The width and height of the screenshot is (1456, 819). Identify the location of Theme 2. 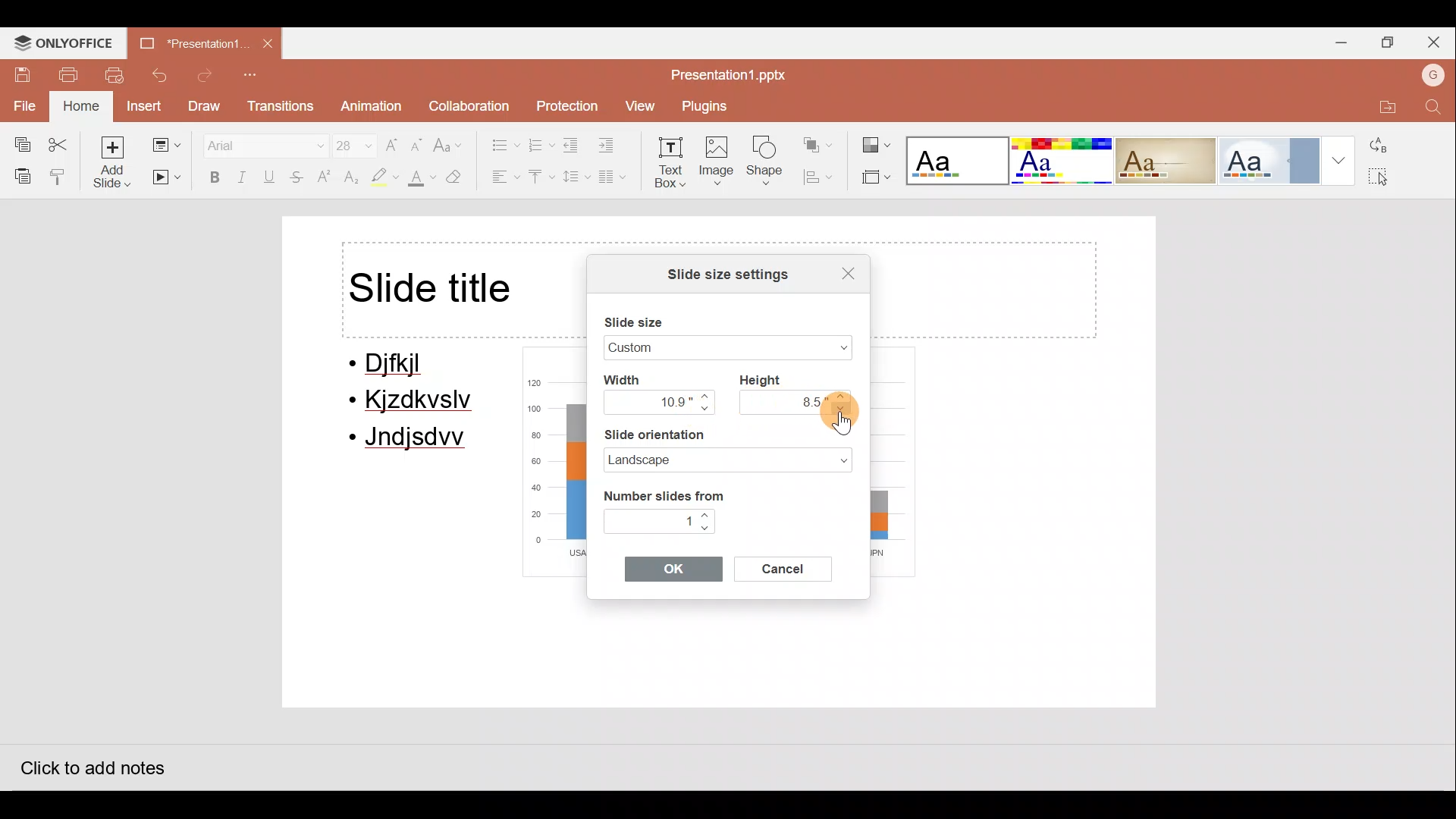
(1065, 161).